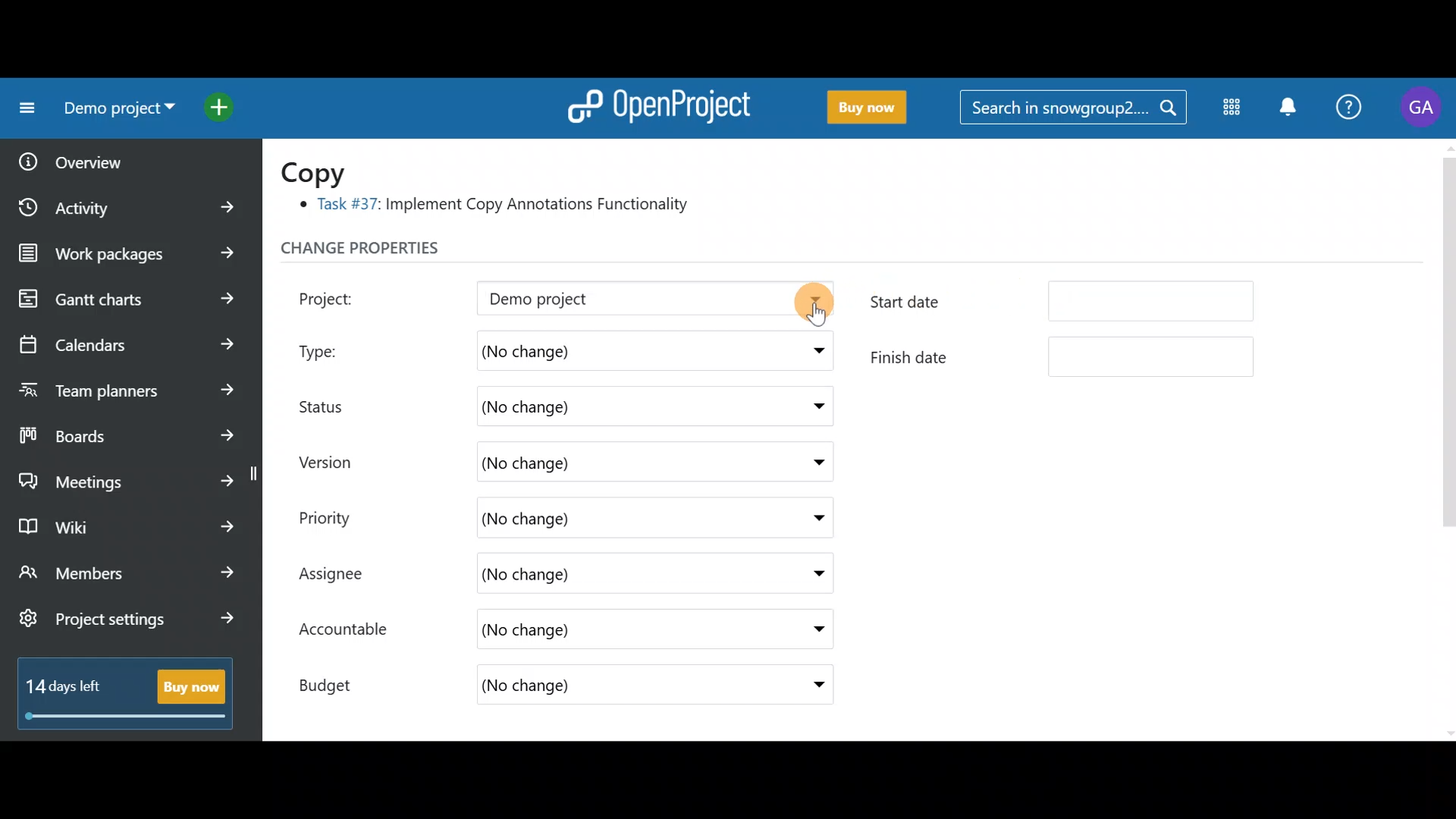  What do you see at coordinates (335, 347) in the screenshot?
I see `Type` at bounding box center [335, 347].